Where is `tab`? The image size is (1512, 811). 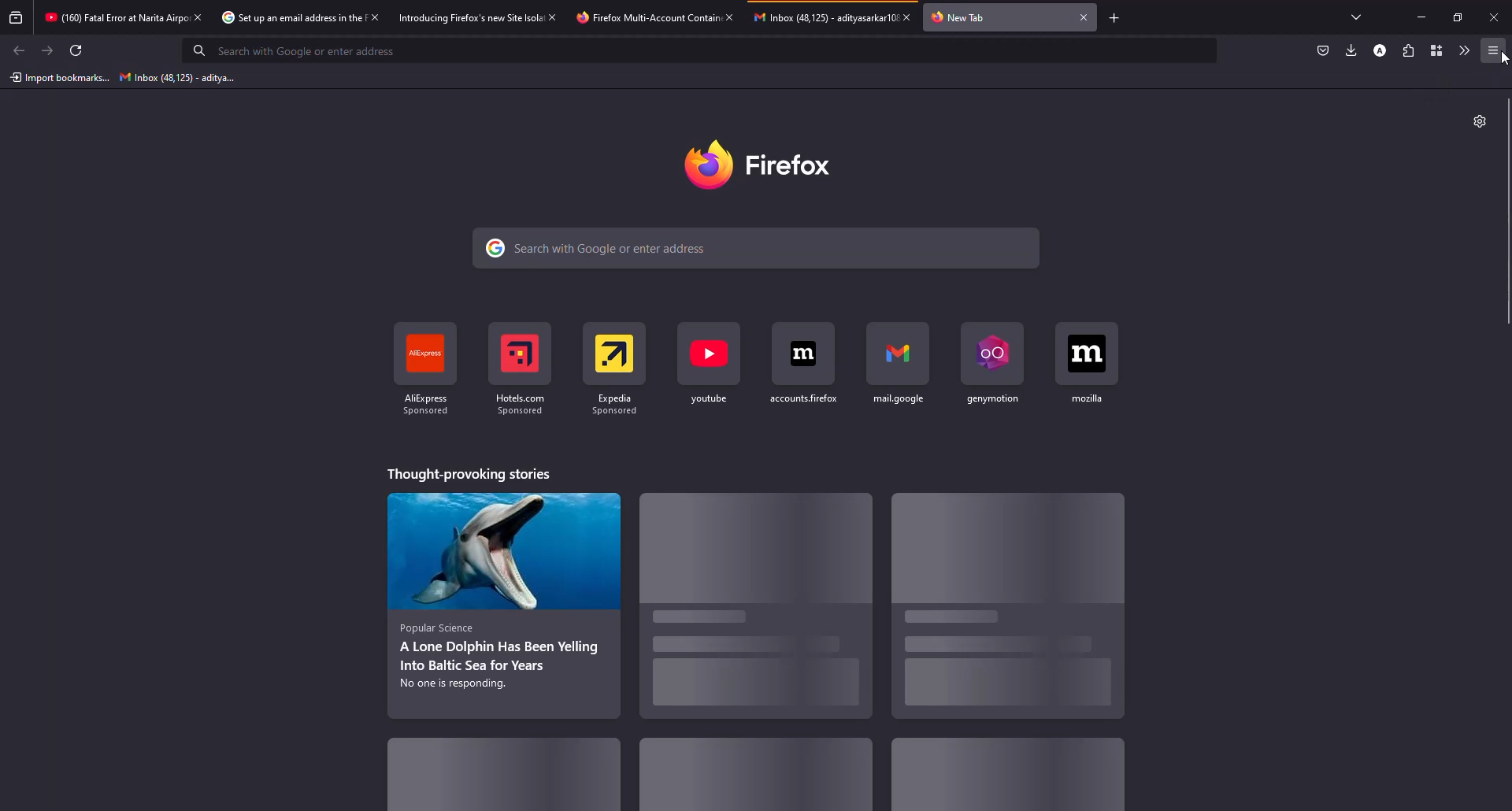
tab is located at coordinates (824, 17).